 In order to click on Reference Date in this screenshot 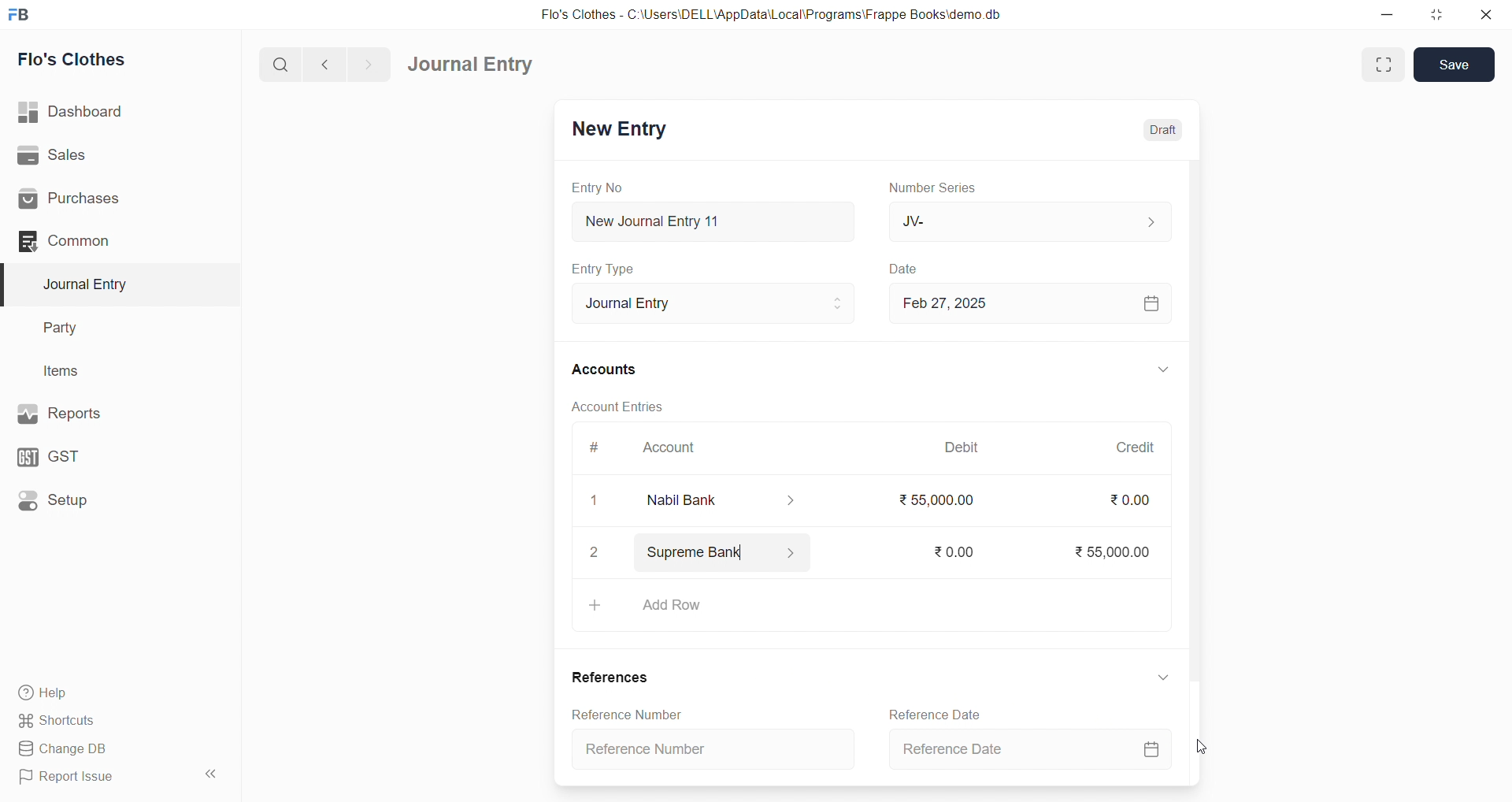, I will do `click(1026, 751)`.